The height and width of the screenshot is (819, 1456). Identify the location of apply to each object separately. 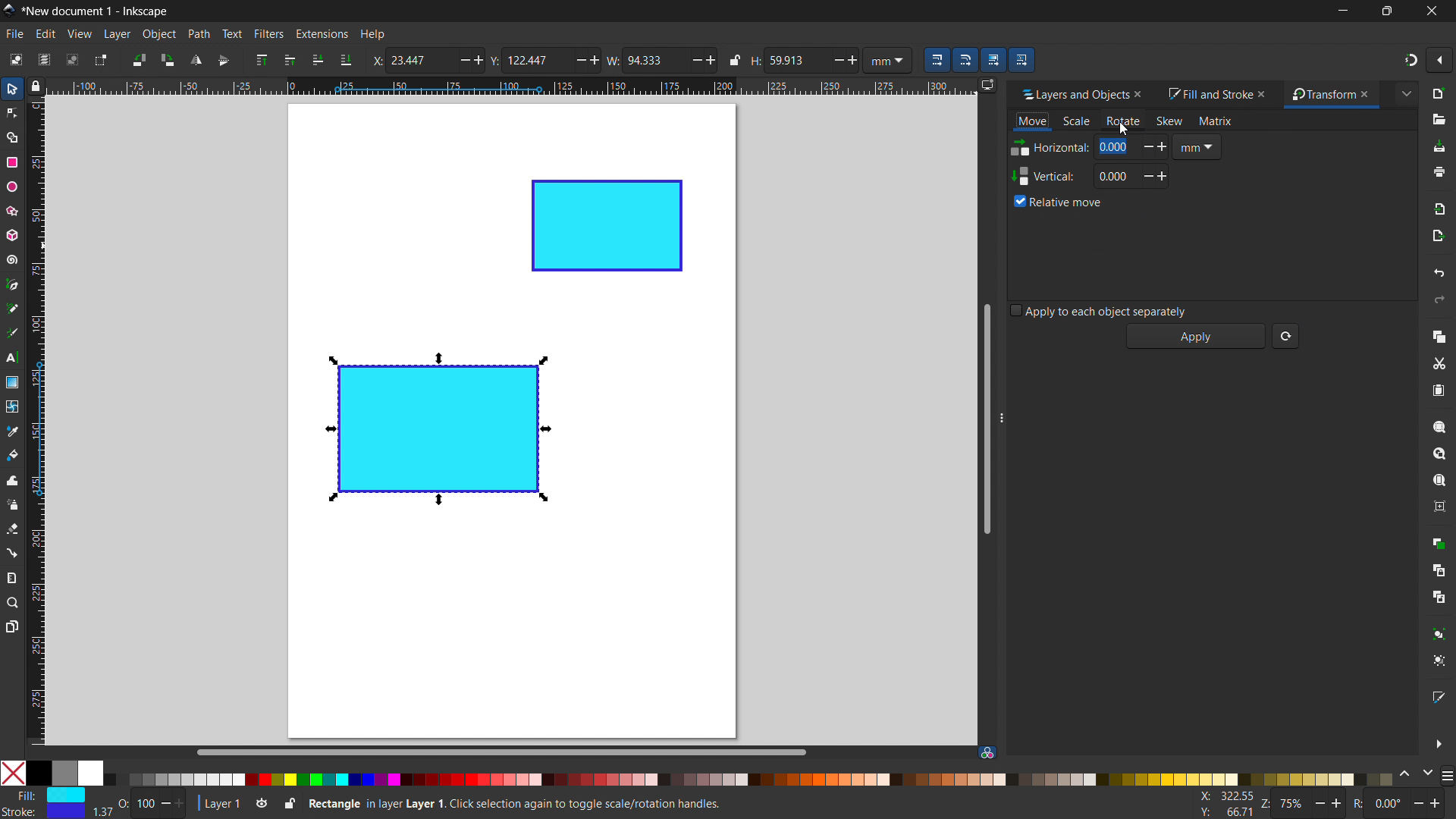
(1099, 310).